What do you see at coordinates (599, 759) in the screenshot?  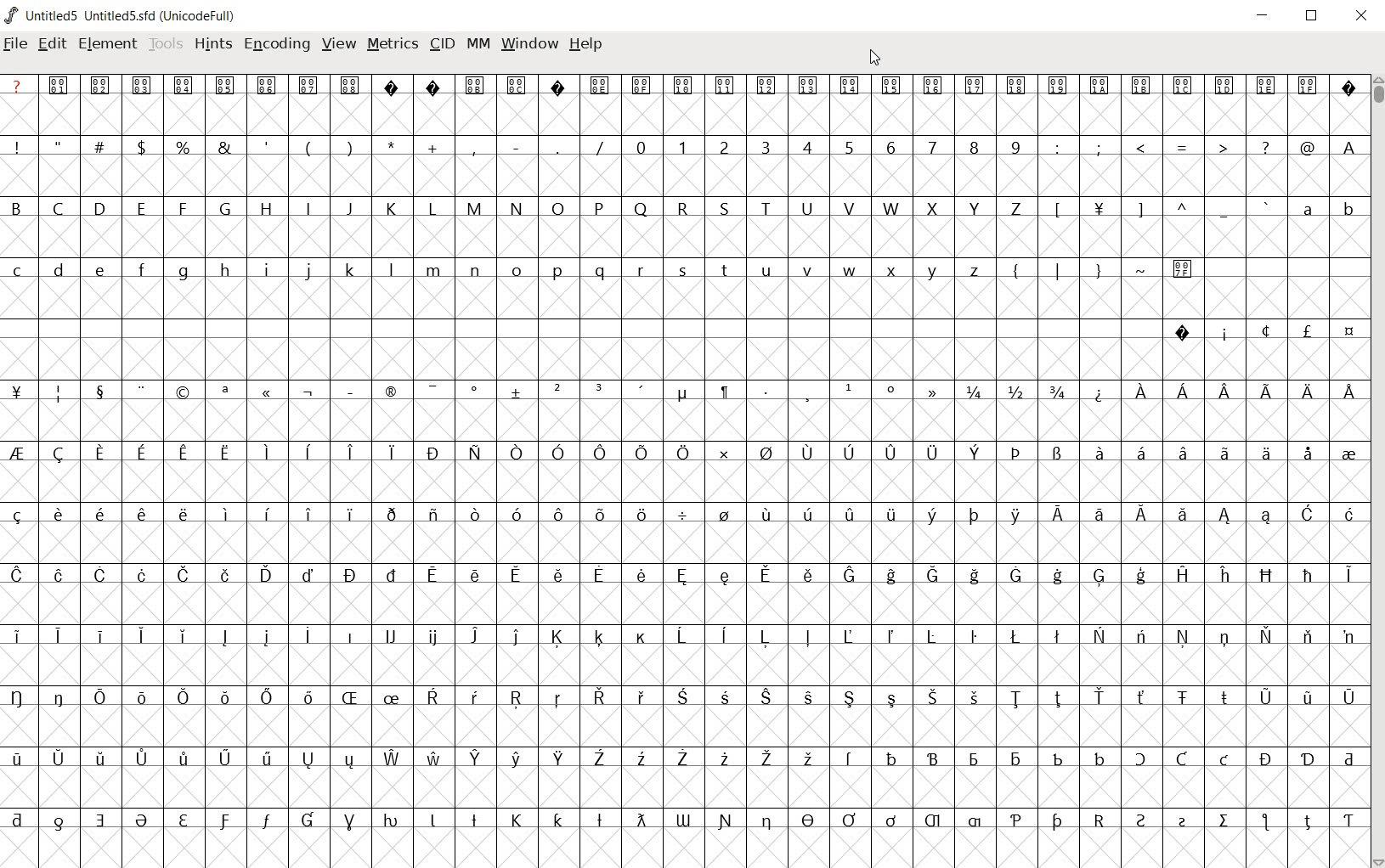 I see `Symbol` at bounding box center [599, 759].